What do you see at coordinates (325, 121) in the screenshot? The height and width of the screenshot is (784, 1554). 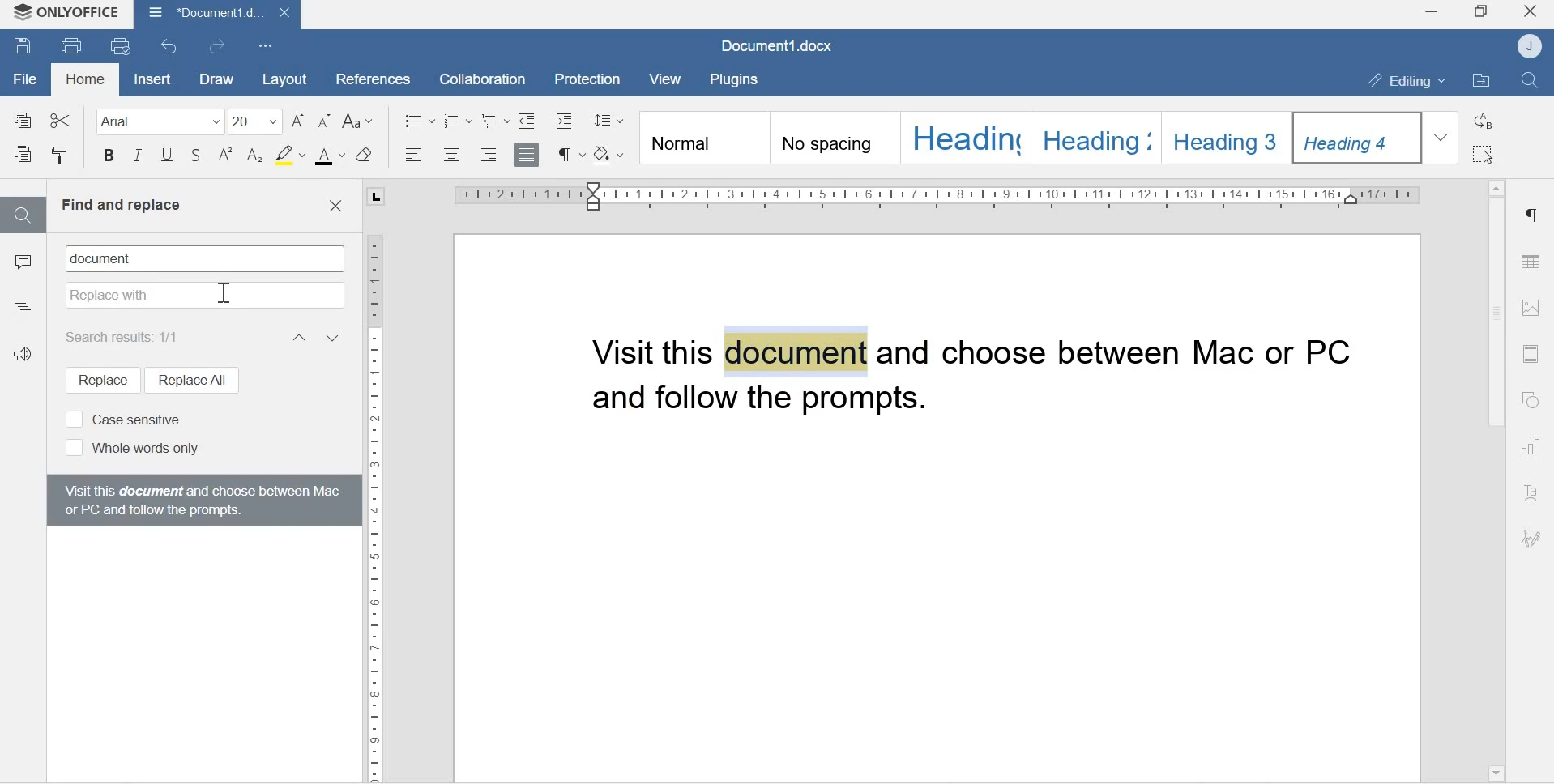 I see `Decrement font sizw` at bounding box center [325, 121].